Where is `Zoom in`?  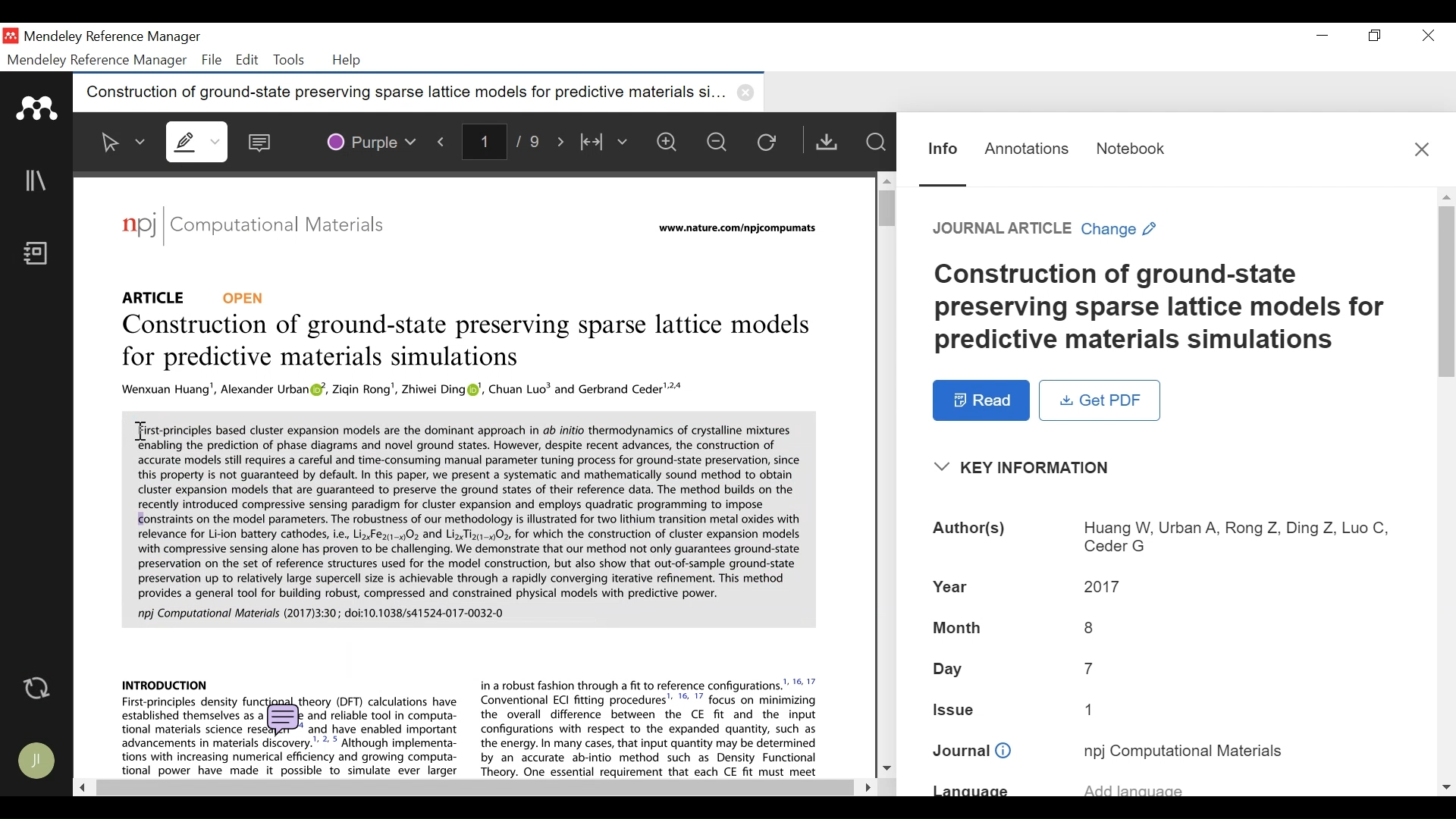 Zoom in is located at coordinates (671, 142).